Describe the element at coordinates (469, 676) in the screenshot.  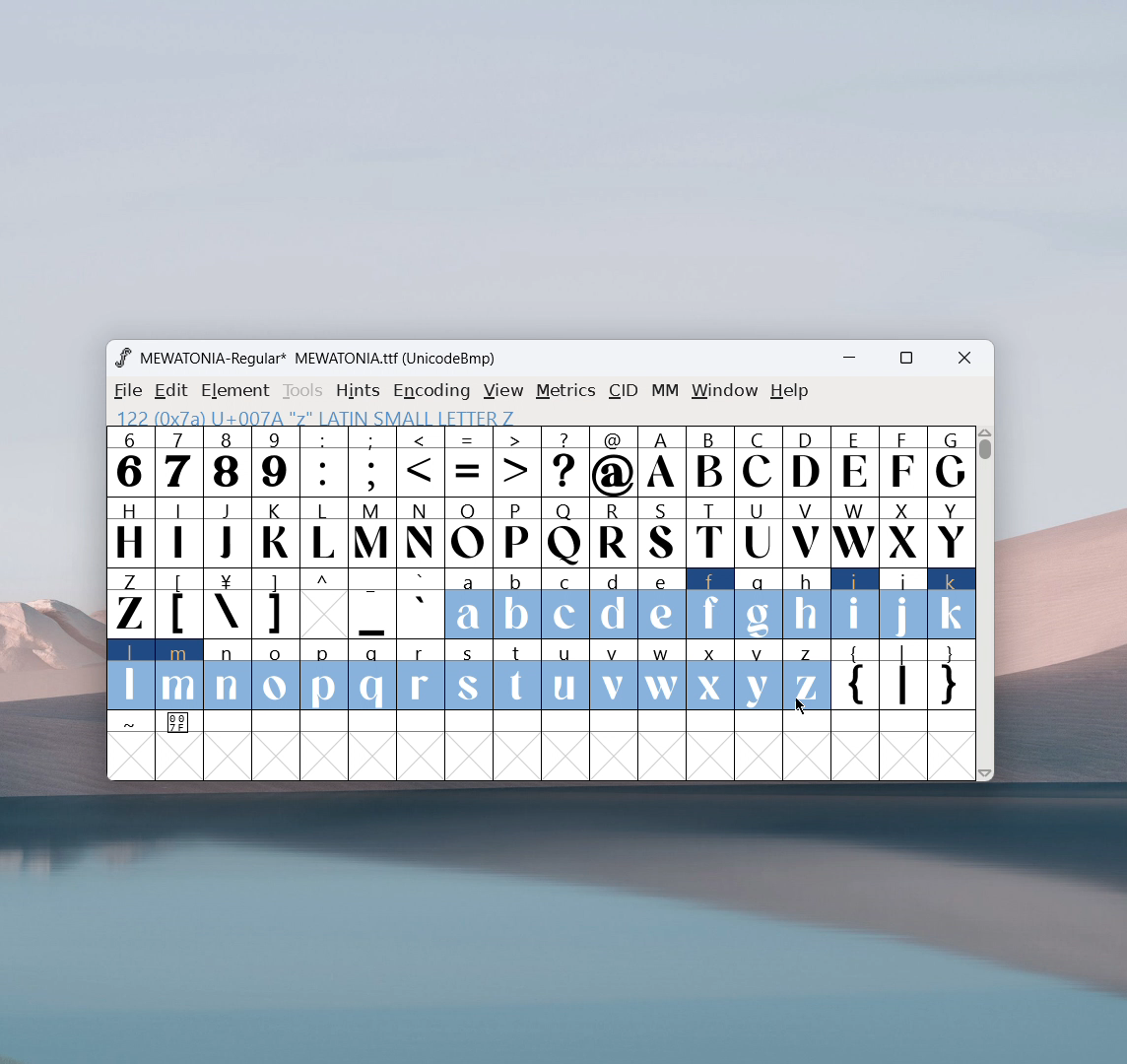
I see `s` at that location.